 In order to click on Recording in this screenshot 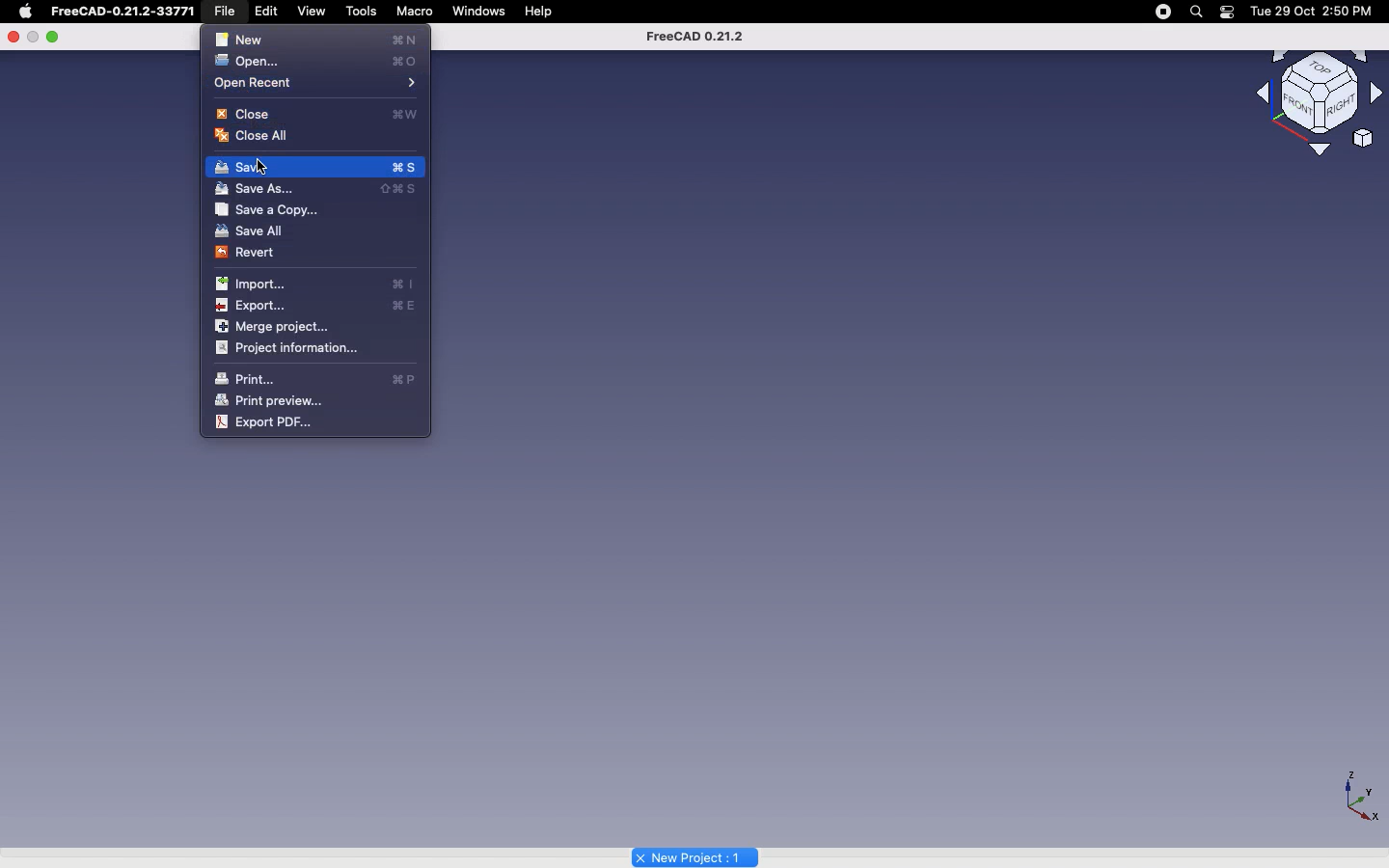, I will do `click(1162, 12)`.